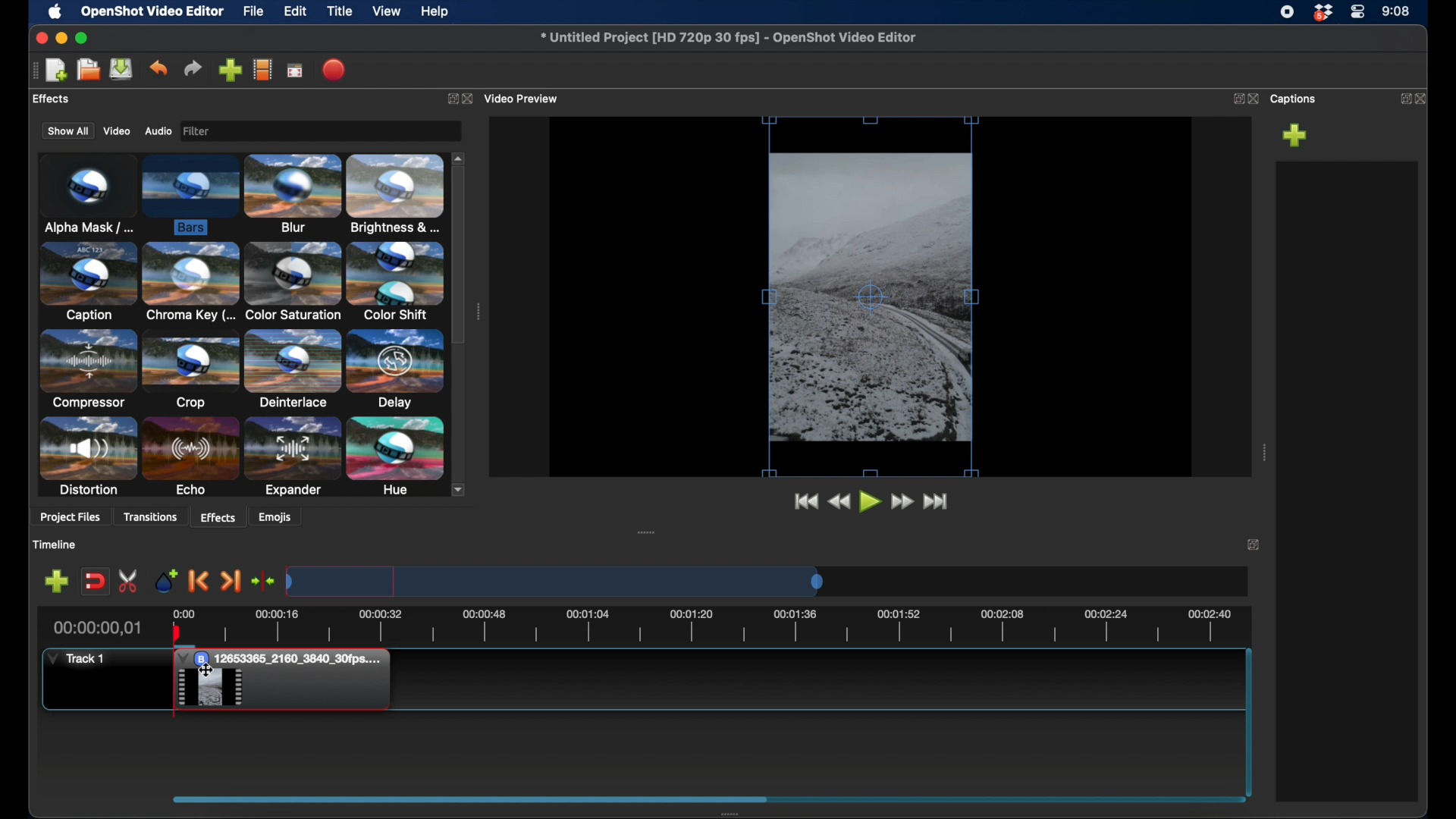 The height and width of the screenshot is (819, 1456). I want to click on import files, so click(230, 70).